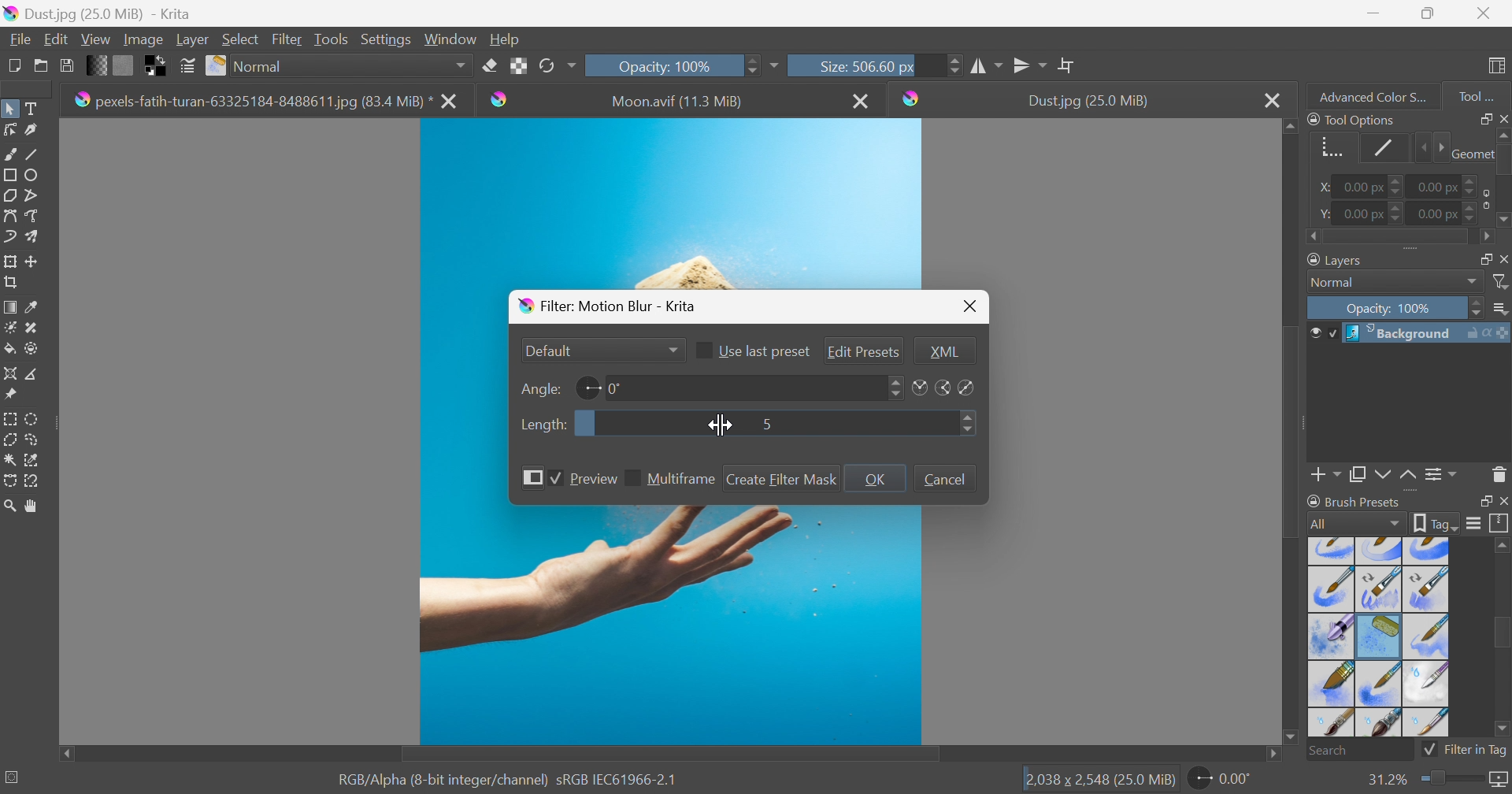 The width and height of the screenshot is (1512, 794). I want to click on Window, so click(451, 38).